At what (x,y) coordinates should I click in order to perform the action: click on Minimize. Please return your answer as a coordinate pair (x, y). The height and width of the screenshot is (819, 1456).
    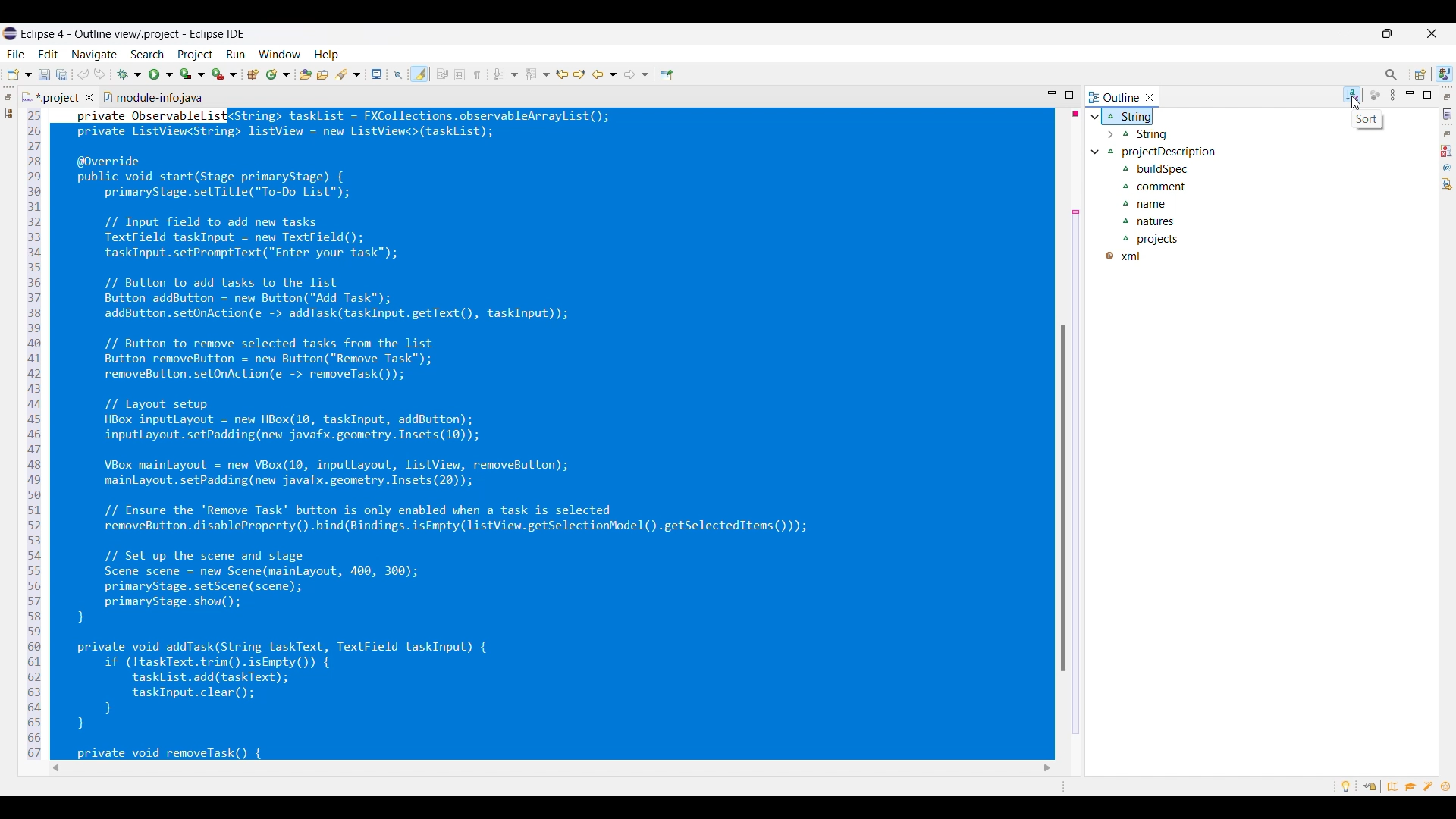
    Looking at the image, I should click on (1344, 33).